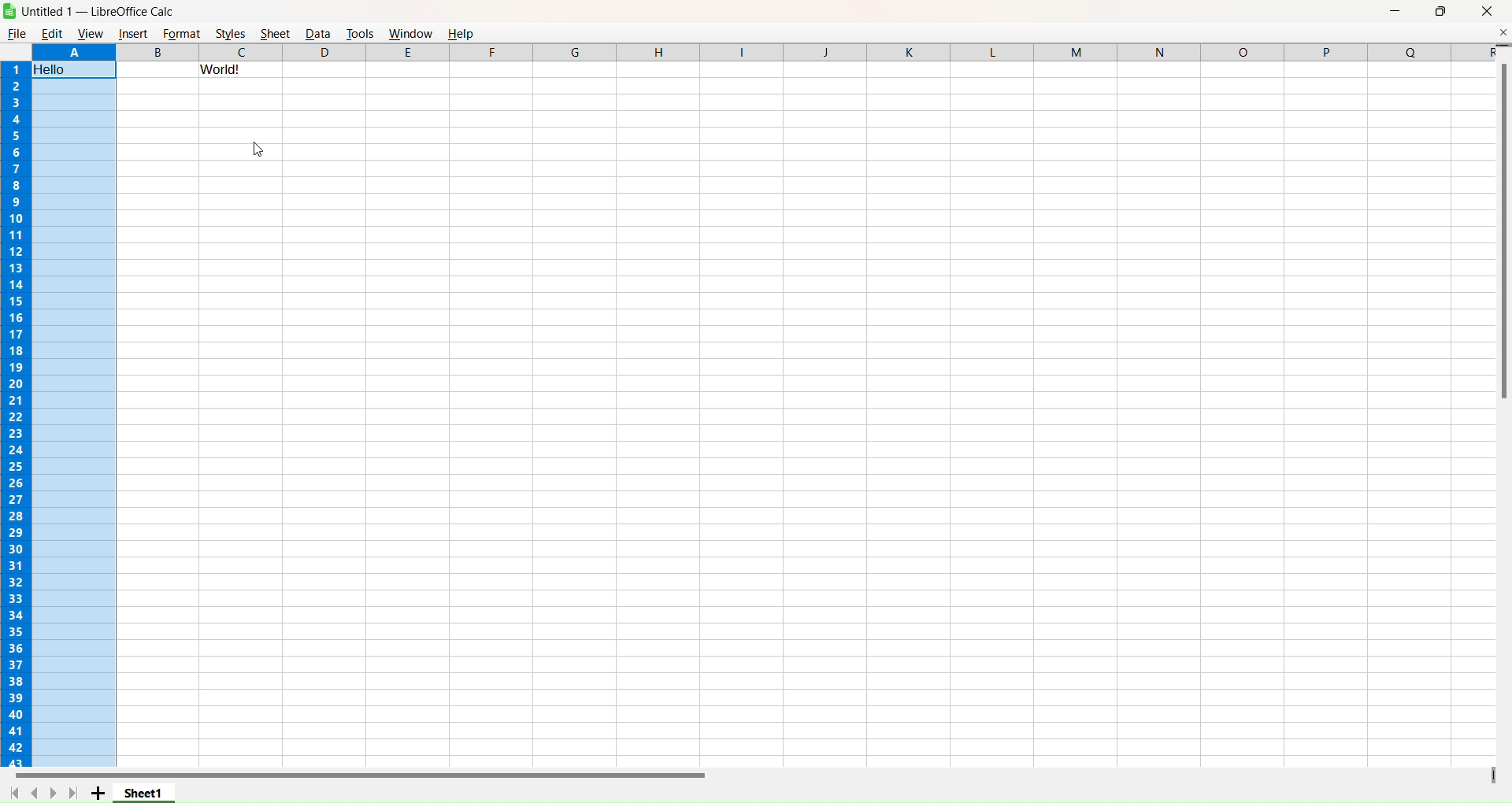  I want to click on Previous Slide, so click(34, 791).